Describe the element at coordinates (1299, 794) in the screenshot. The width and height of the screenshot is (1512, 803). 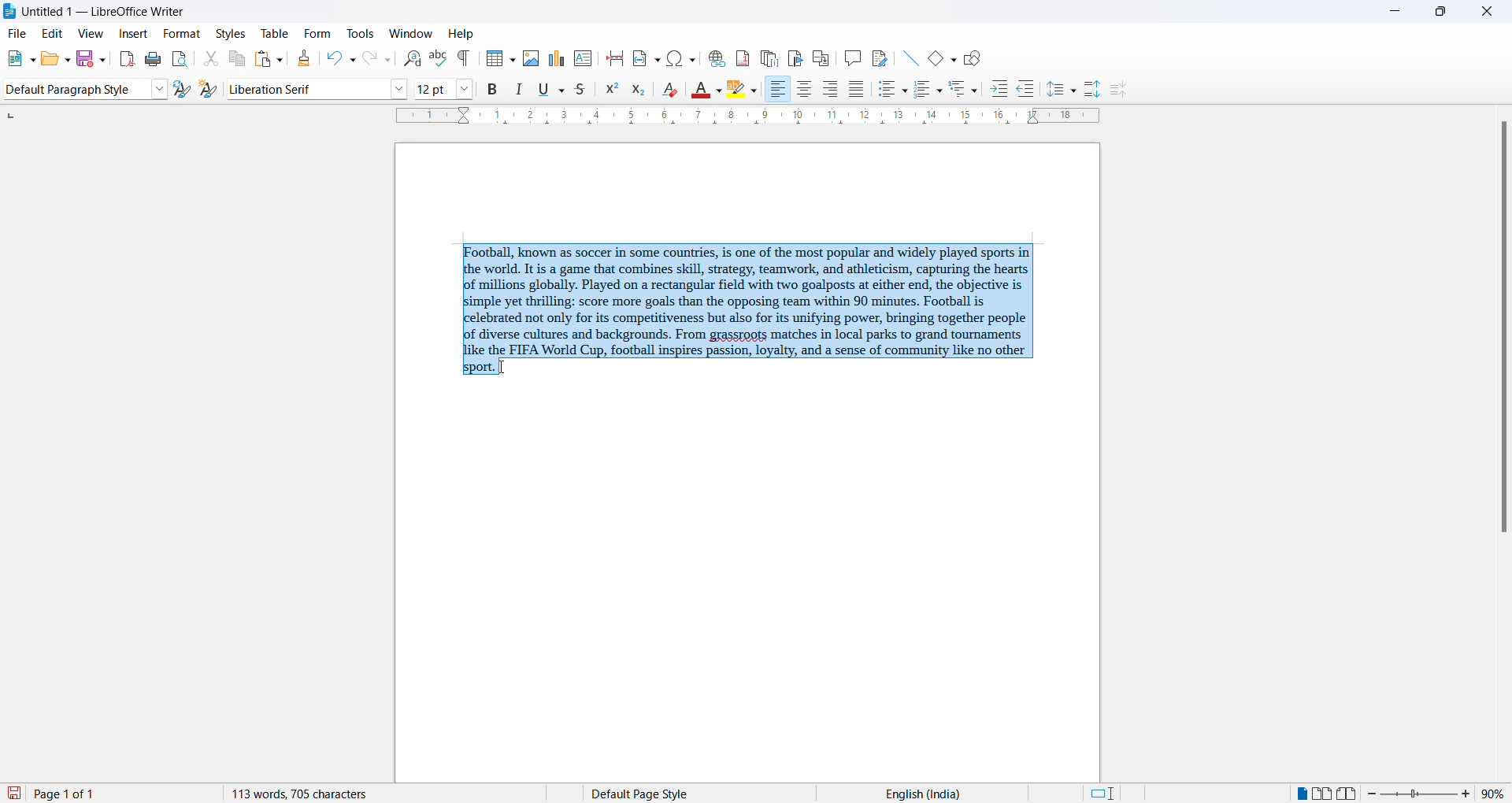
I see `single page view` at that location.